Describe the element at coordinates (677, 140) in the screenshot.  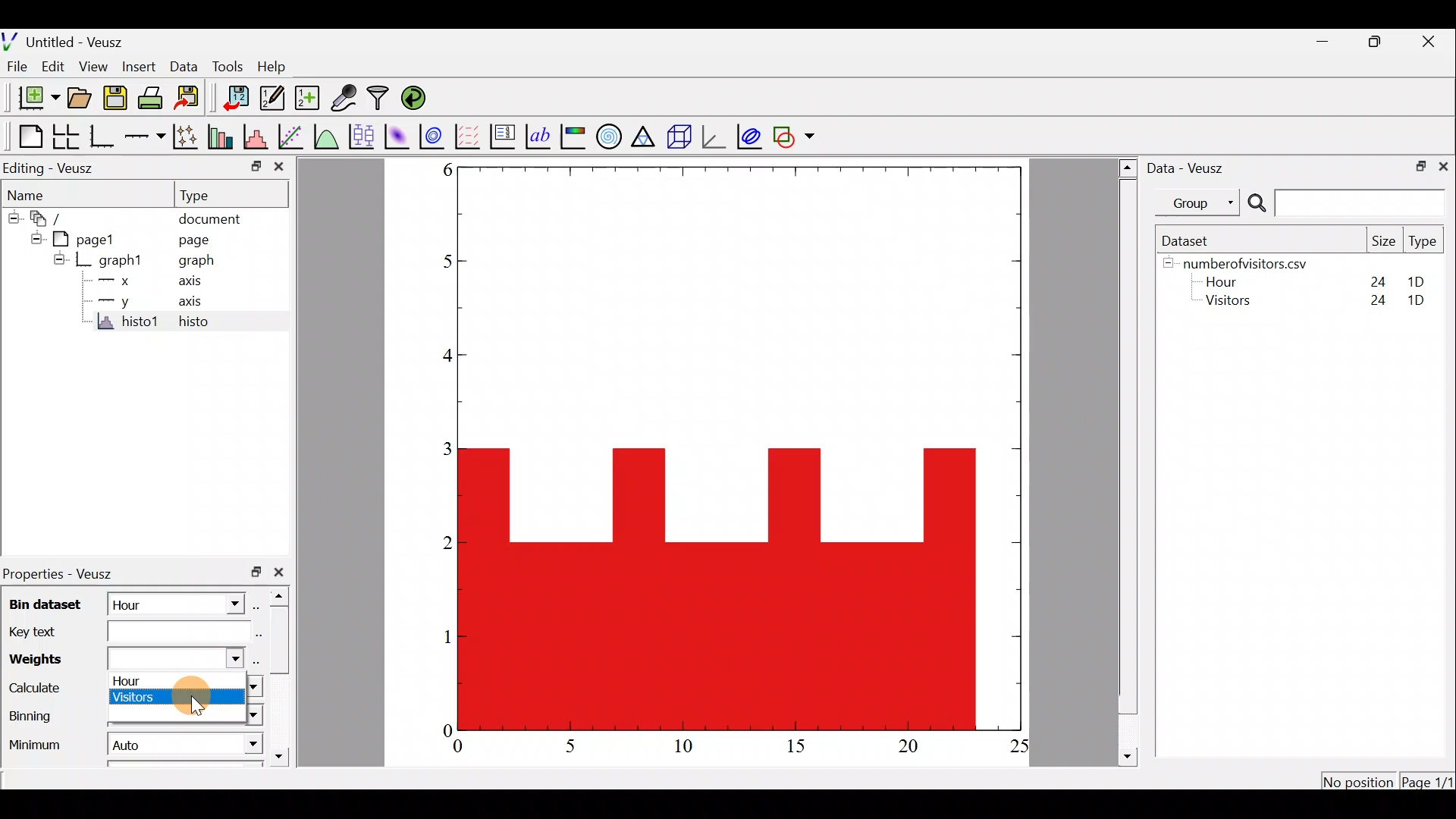
I see `3d scene` at that location.